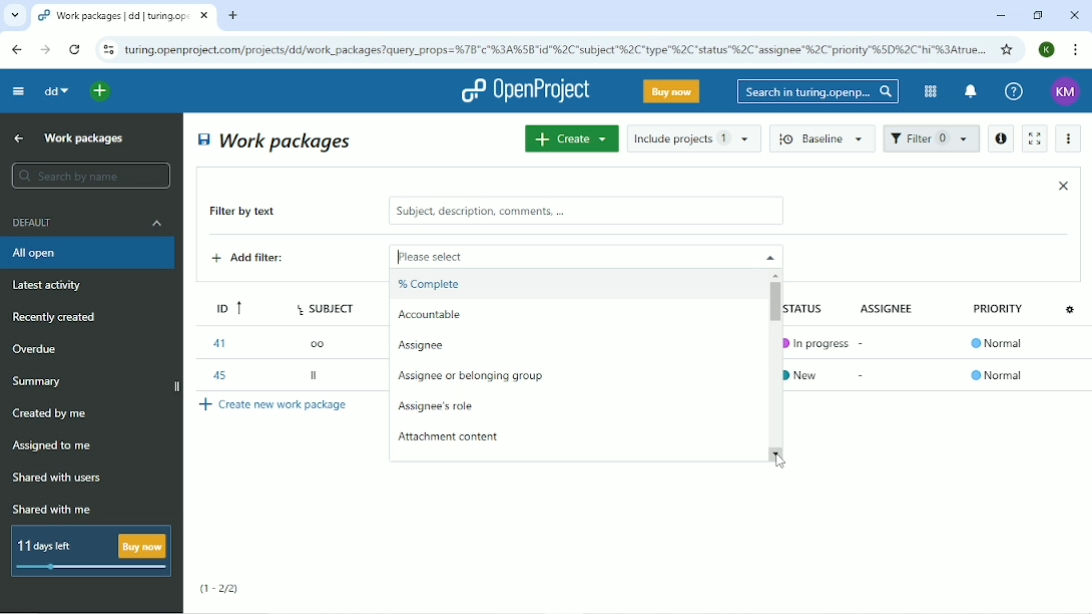  What do you see at coordinates (780, 464) in the screenshot?
I see `Cursor` at bounding box center [780, 464].